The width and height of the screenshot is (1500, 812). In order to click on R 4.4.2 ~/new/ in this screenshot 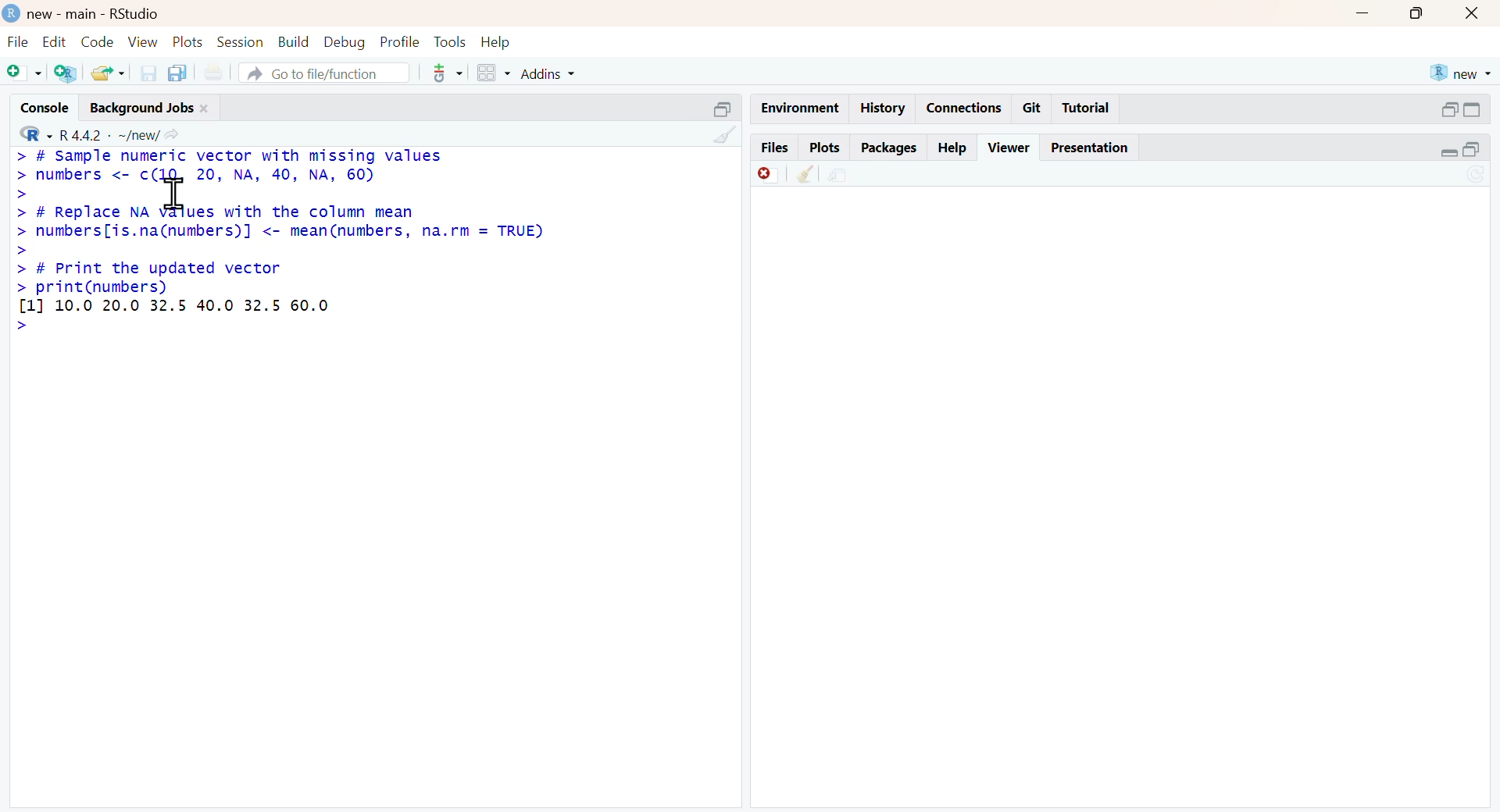, I will do `click(109, 136)`.